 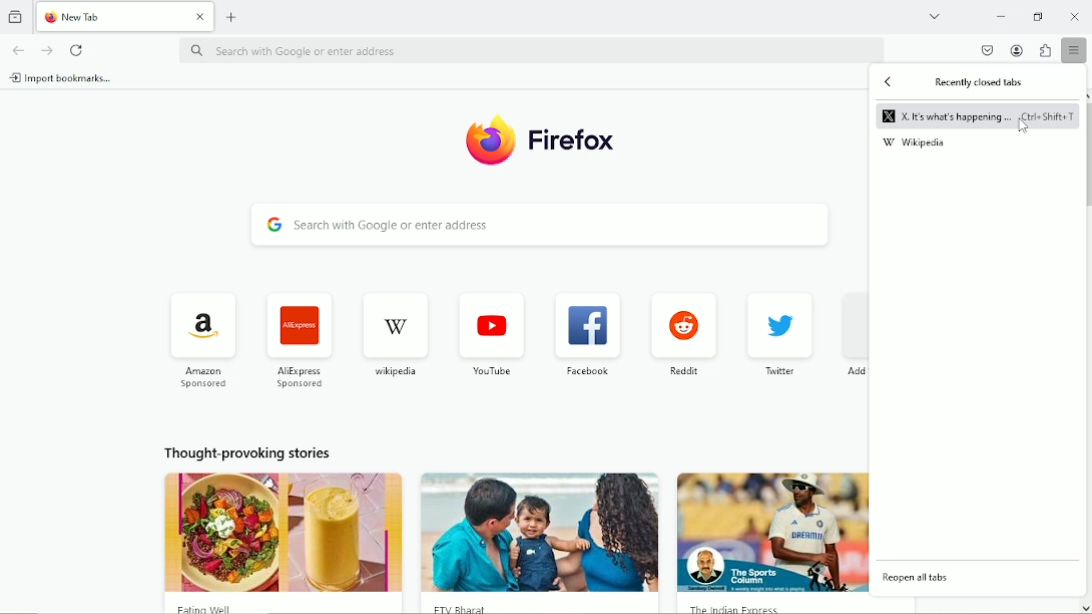 I want to click on twitter, so click(x=778, y=374).